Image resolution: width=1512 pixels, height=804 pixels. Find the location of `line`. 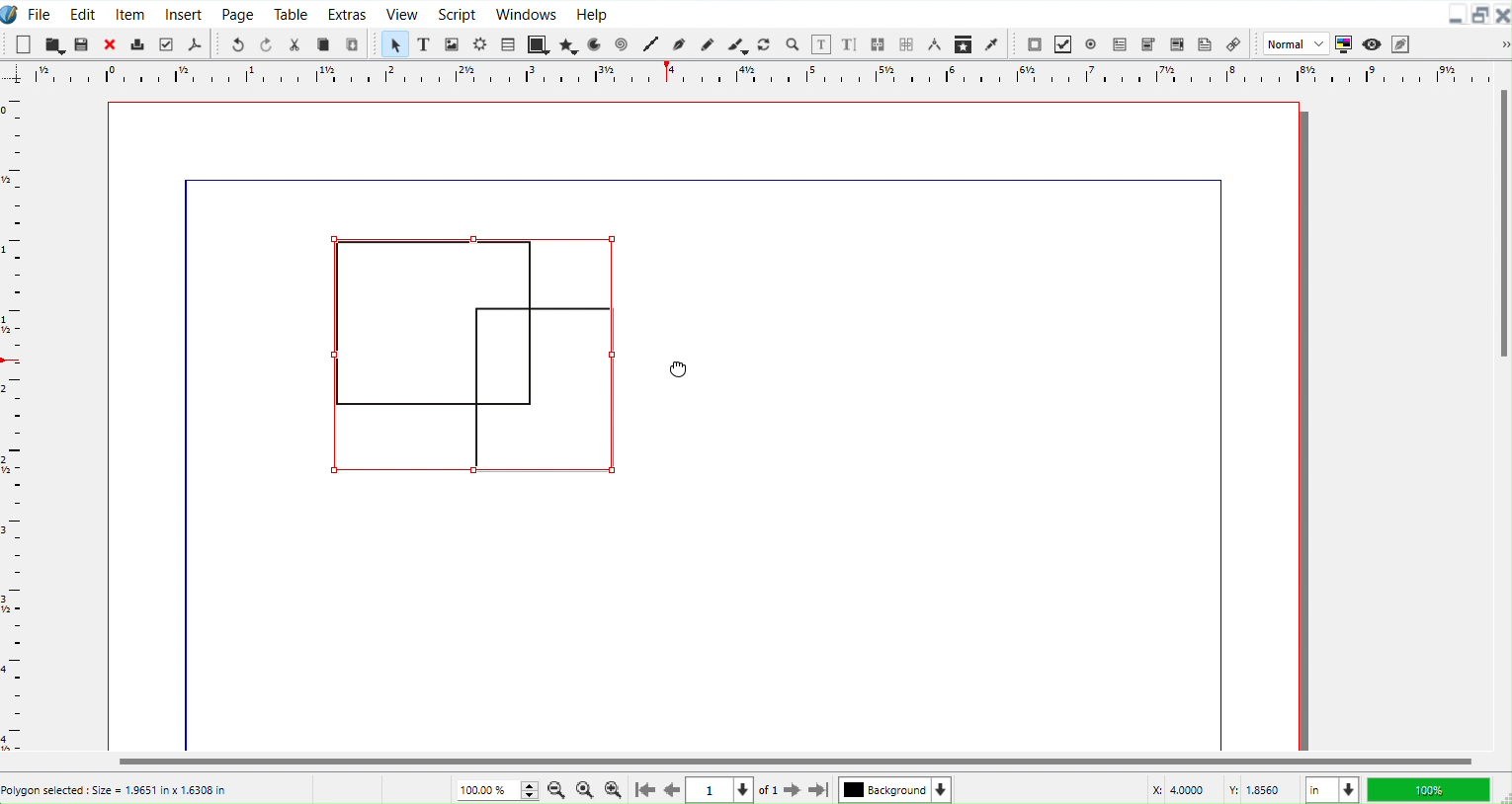

line is located at coordinates (704, 179).